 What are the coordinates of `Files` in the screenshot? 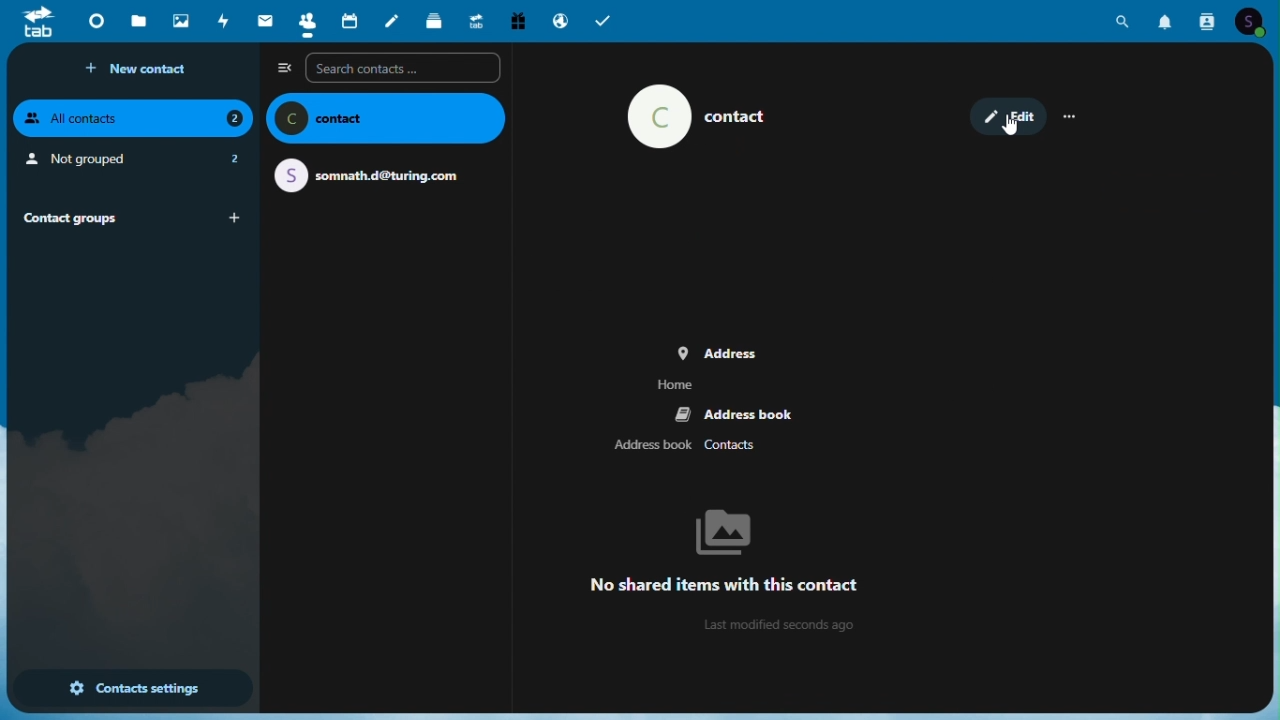 It's located at (138, 24).